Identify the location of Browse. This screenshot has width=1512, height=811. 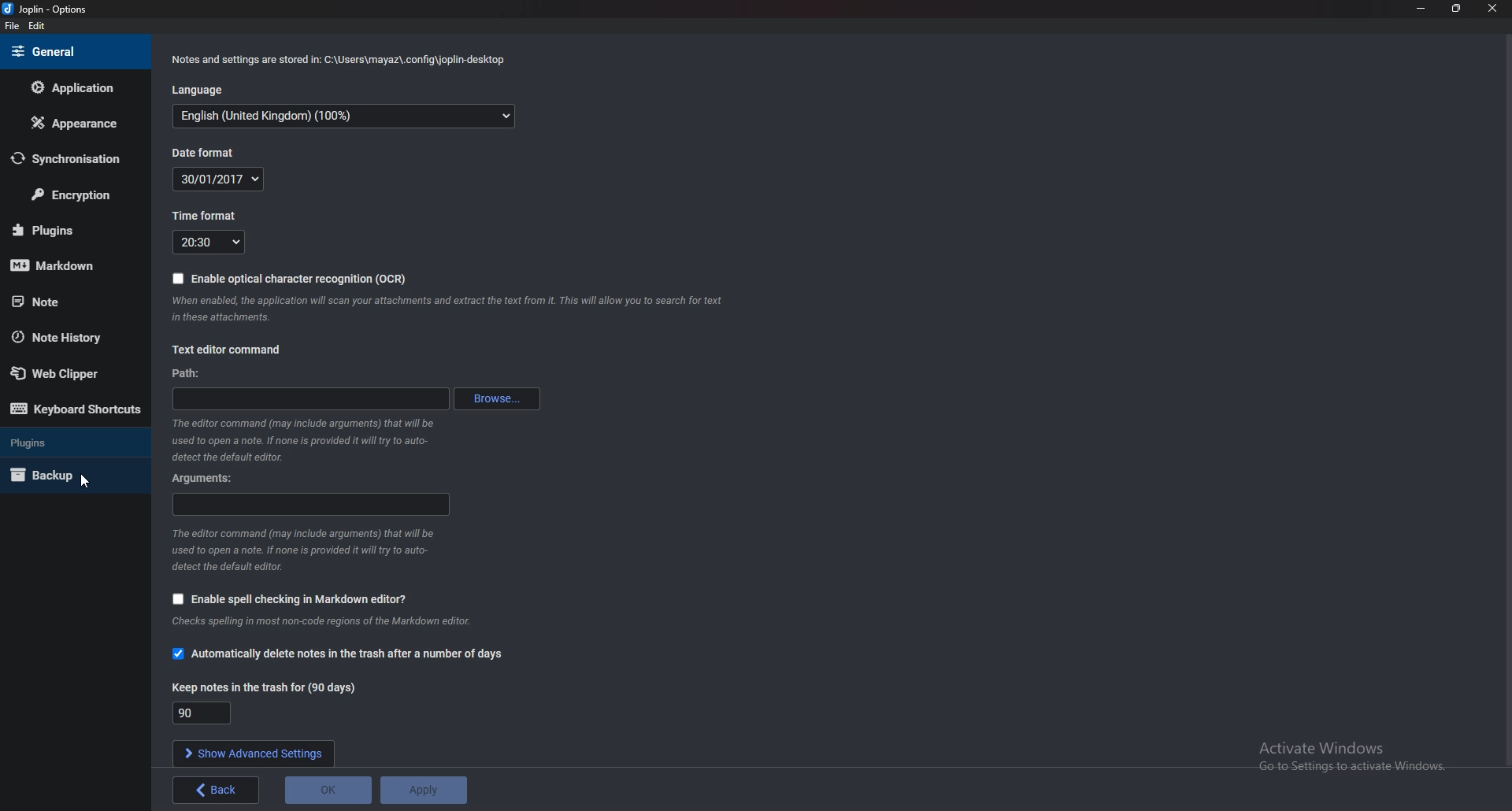
(501, 398).